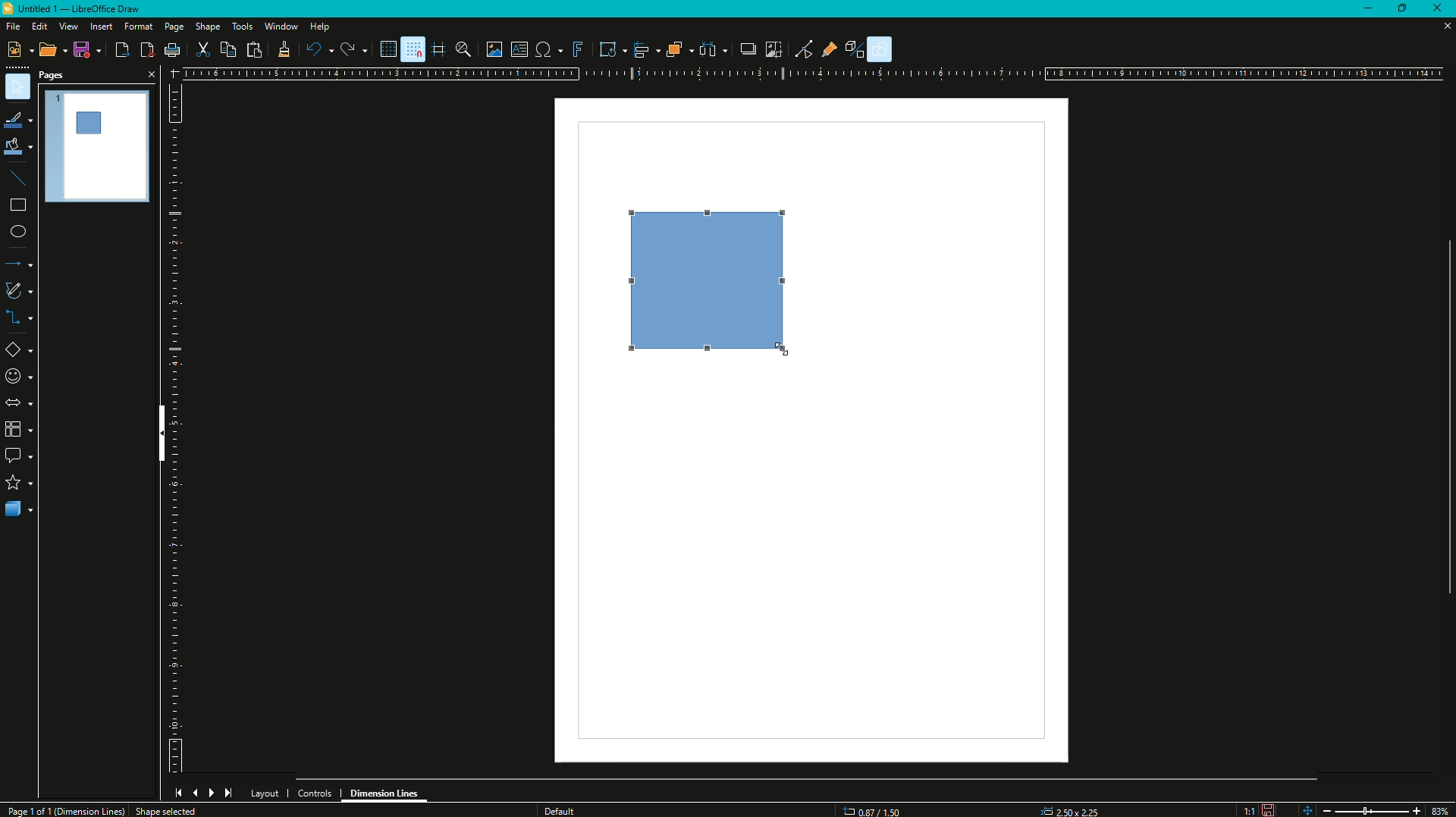 The width and height of the screenshot is (1456, 817). What do you see at coordinates (39, 27) in the screenshot?
I see `Edit` at bounding box center [39, 27].